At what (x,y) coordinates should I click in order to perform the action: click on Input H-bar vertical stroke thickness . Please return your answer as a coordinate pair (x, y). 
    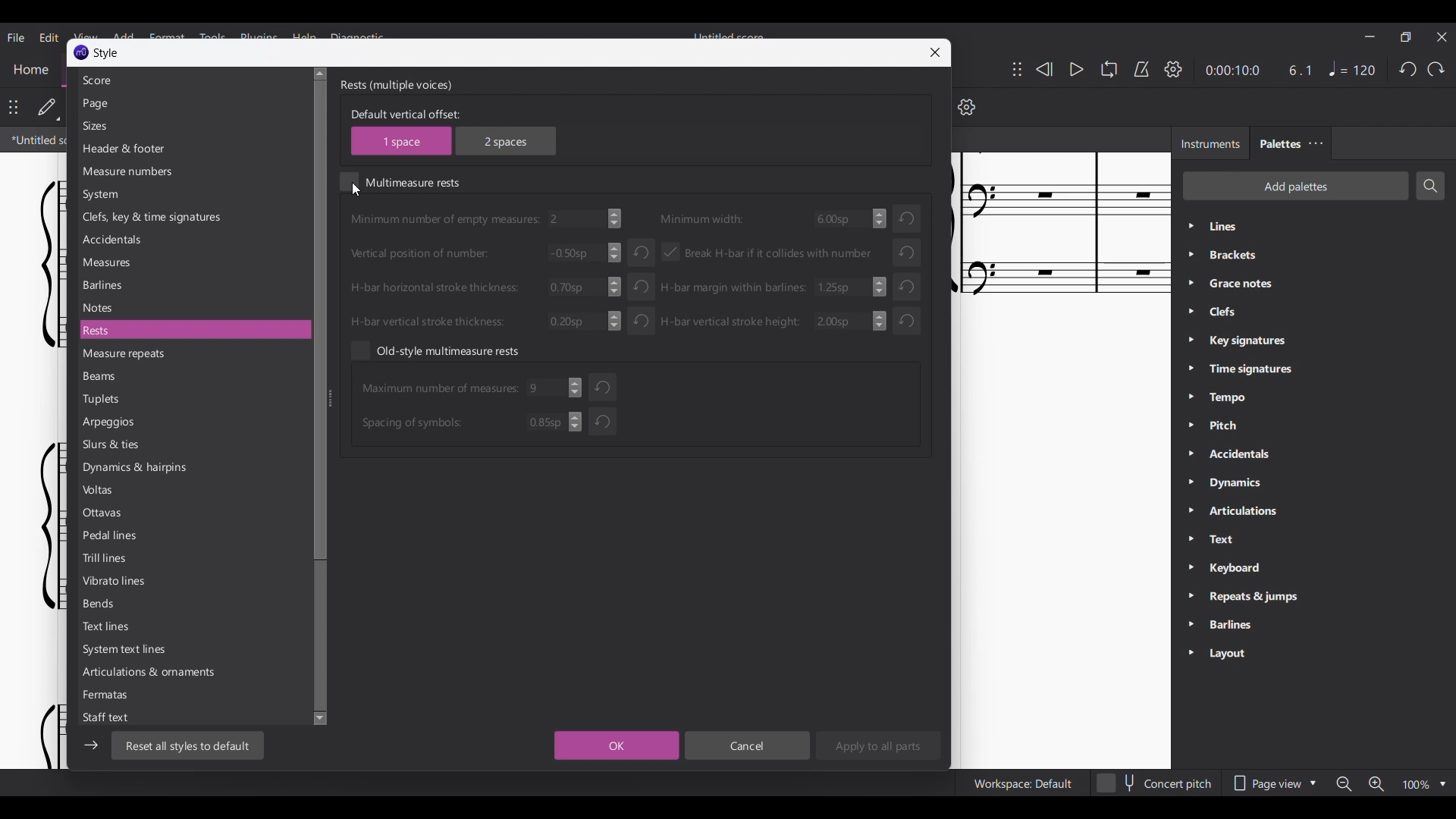
    Looking at the image, I should click on (476, 322).